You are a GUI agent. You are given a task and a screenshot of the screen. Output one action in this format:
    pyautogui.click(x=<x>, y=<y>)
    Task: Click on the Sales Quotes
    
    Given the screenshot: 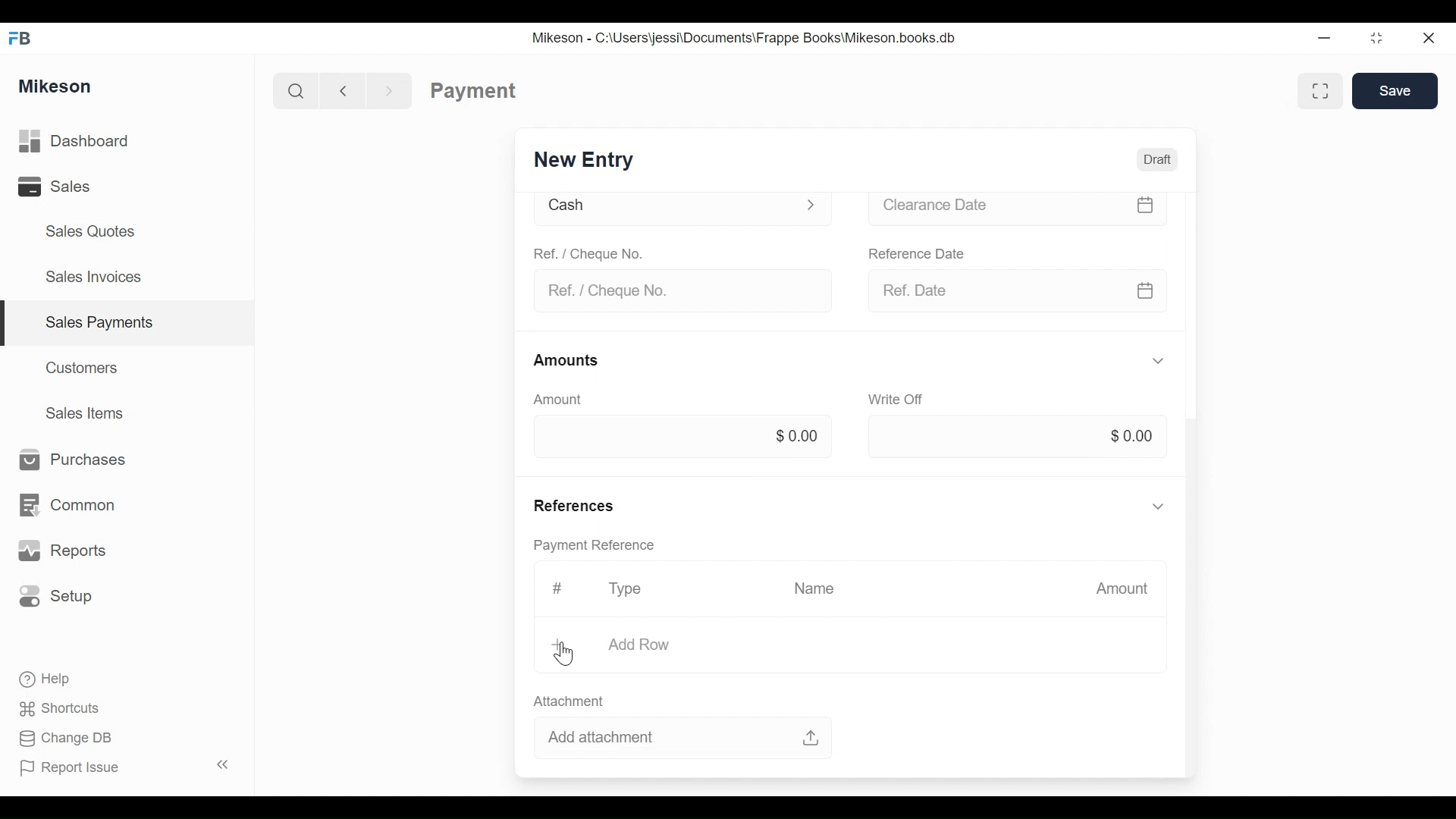 What is the action you would take?
    pyautogui.click(x=83, y=231)
    